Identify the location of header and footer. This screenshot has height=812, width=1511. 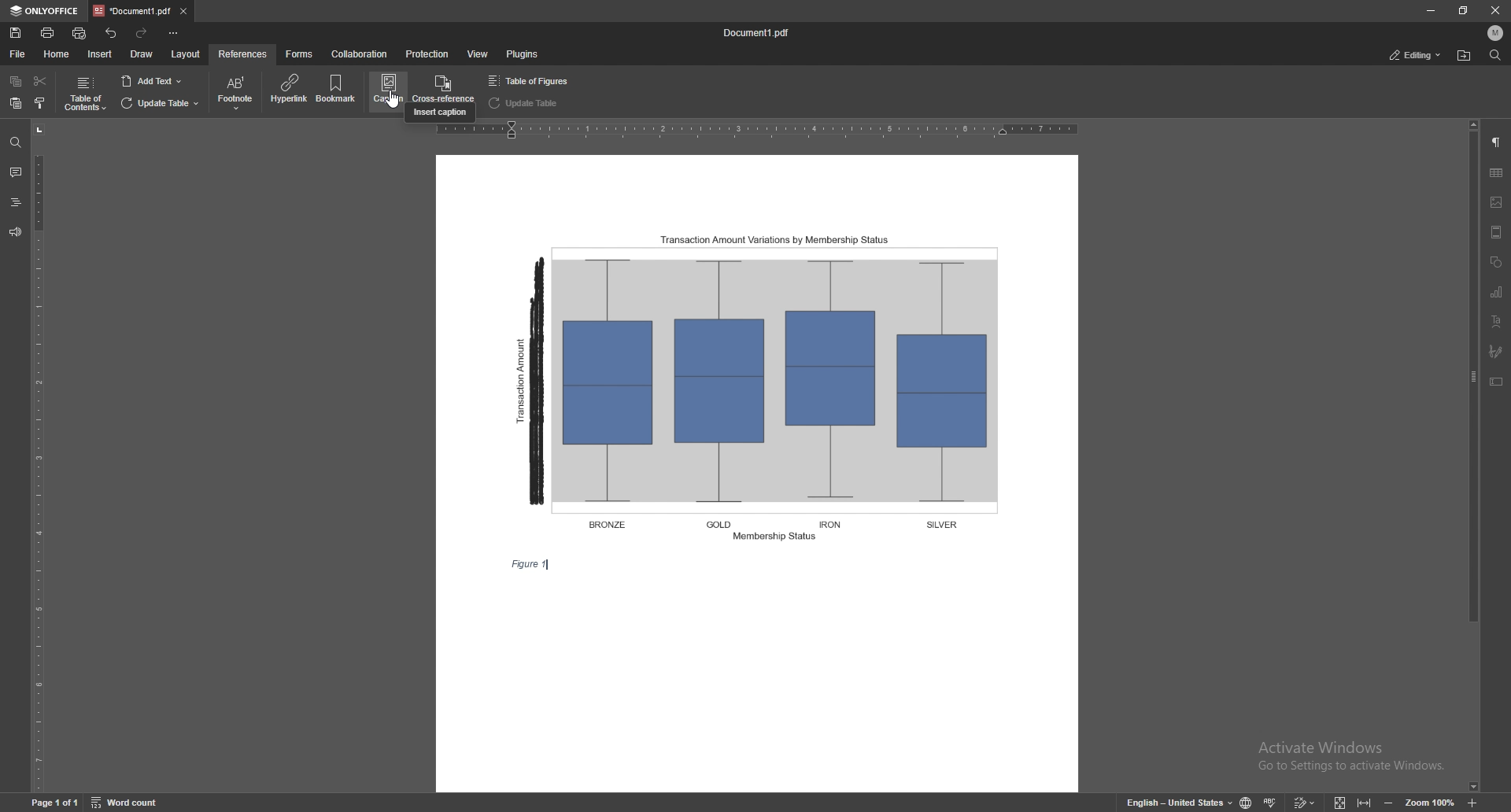
(1497, 231).